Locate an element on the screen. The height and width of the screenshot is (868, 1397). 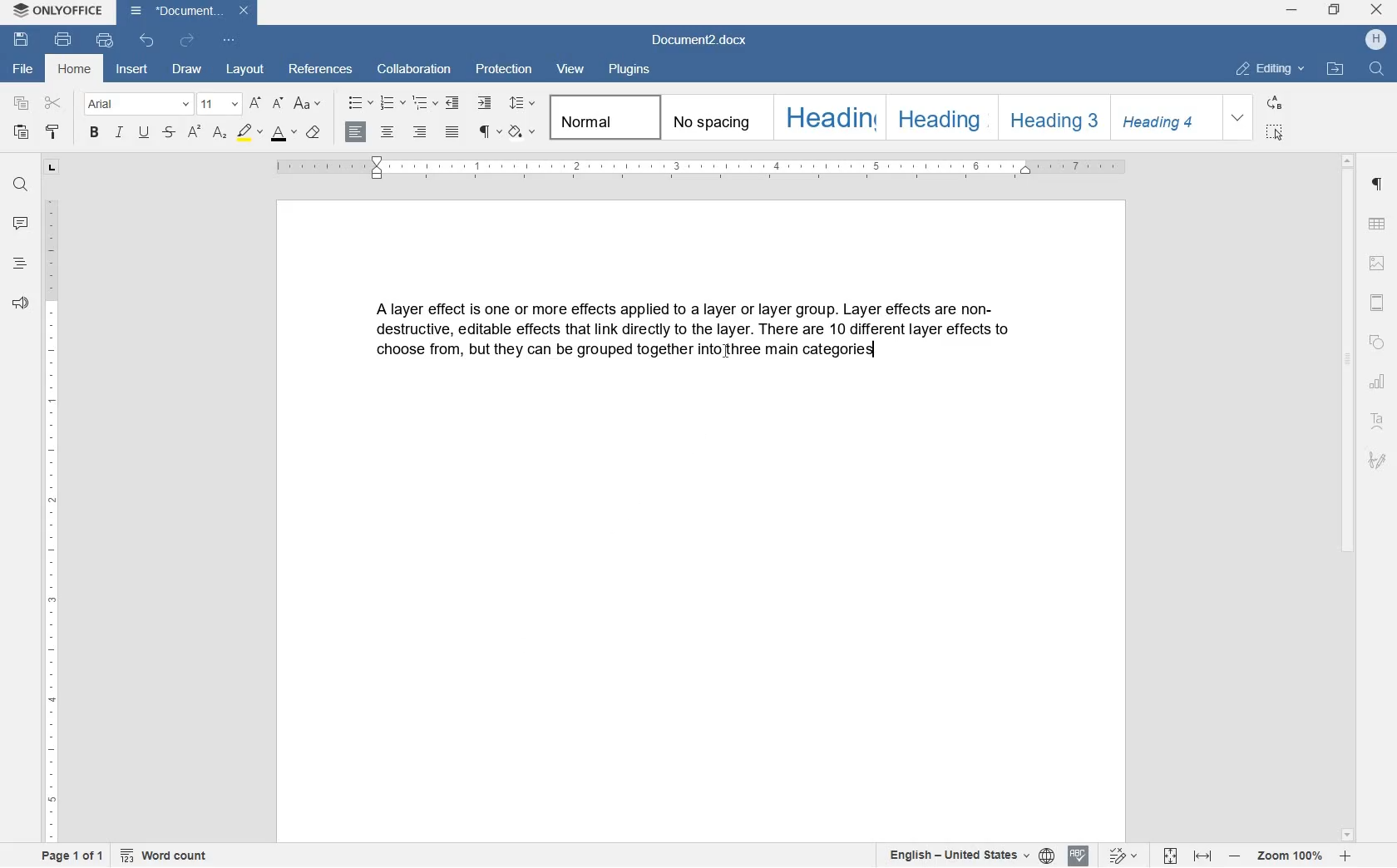
font color  is located at coordinates (285, 134).